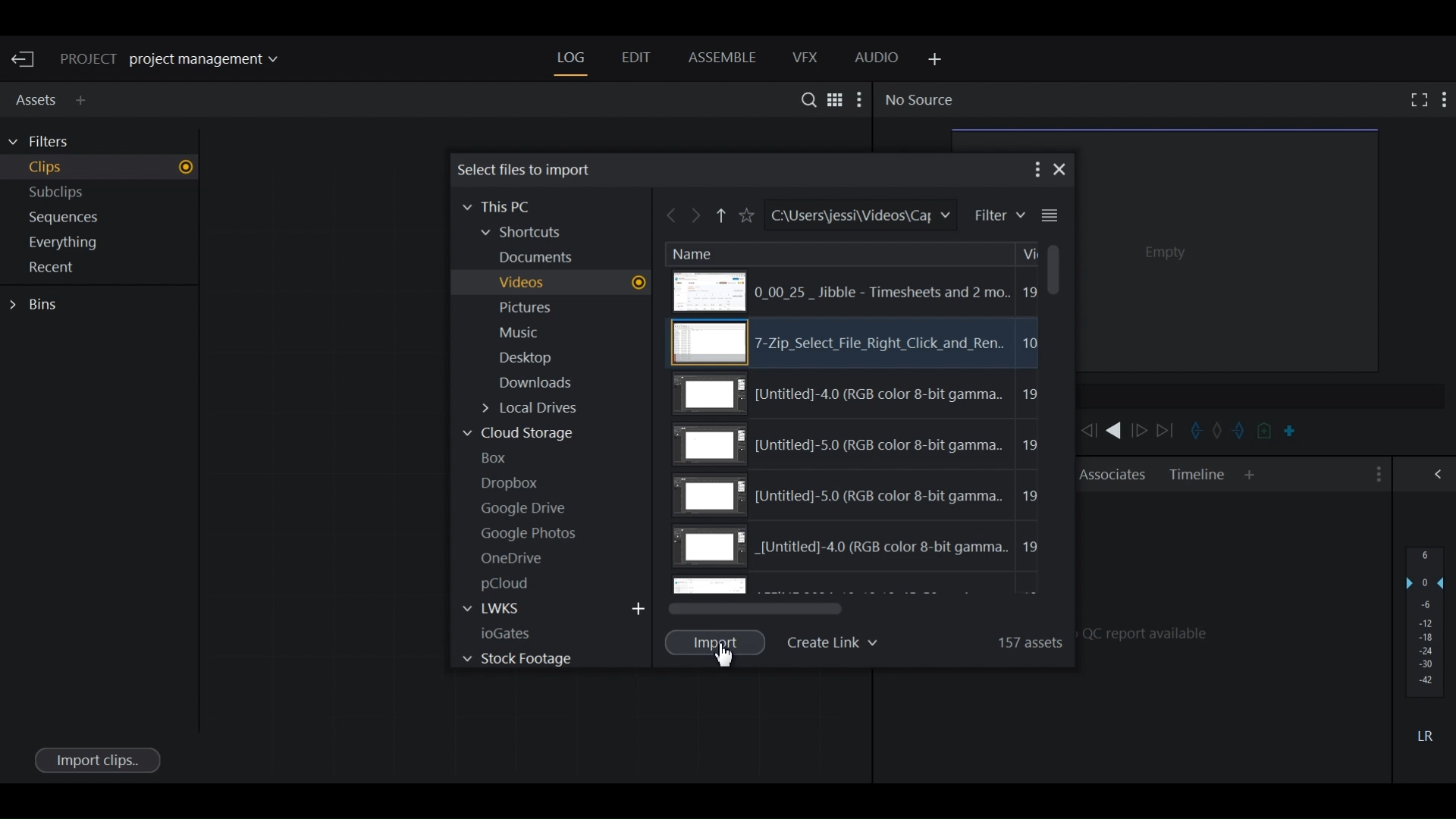  Describe the element at coordinates (516, 482) in the screenshot. I see `Dropbox` at that location.